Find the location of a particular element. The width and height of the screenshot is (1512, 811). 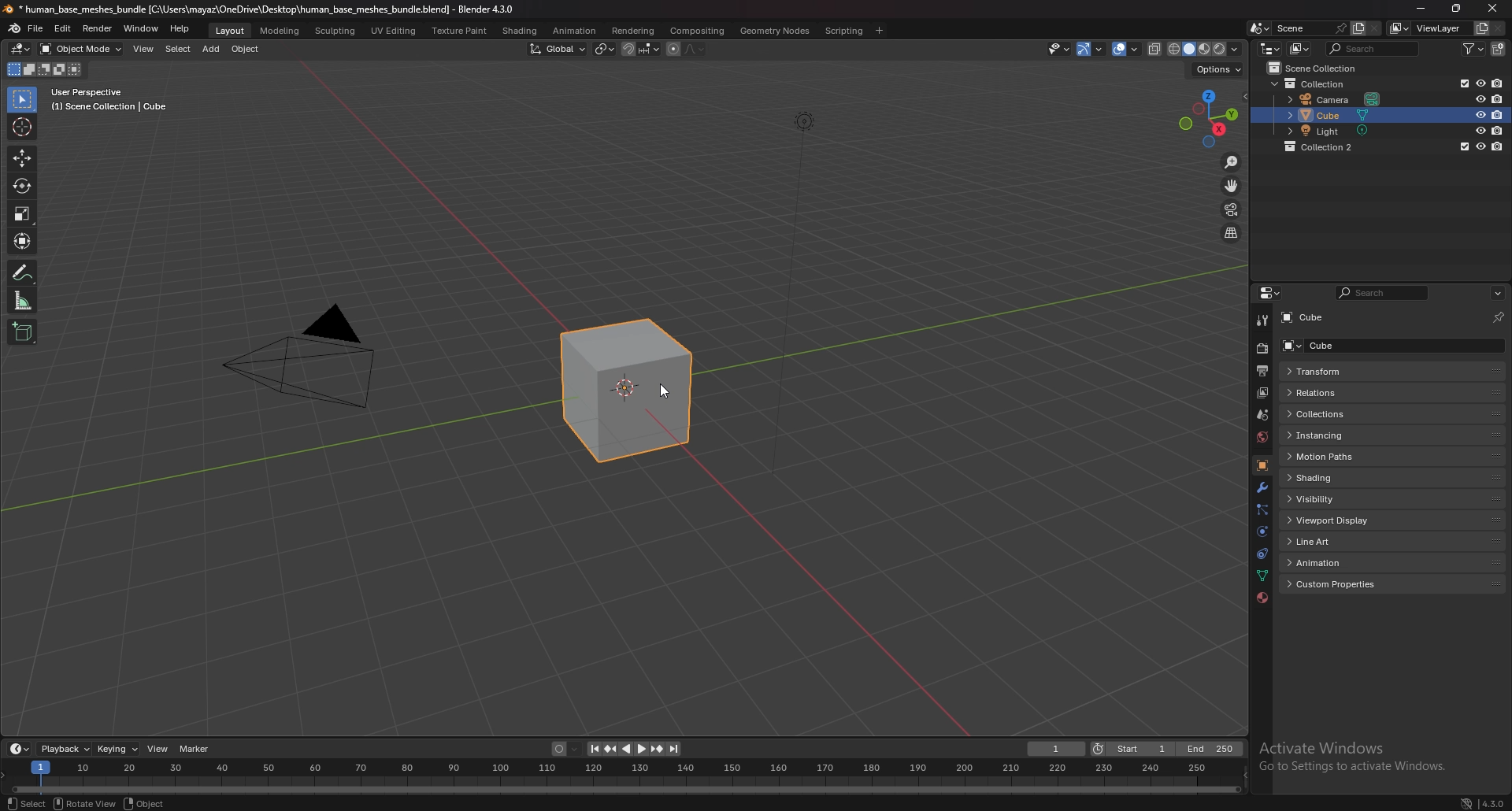

search is located at coordinates (1375, 48).